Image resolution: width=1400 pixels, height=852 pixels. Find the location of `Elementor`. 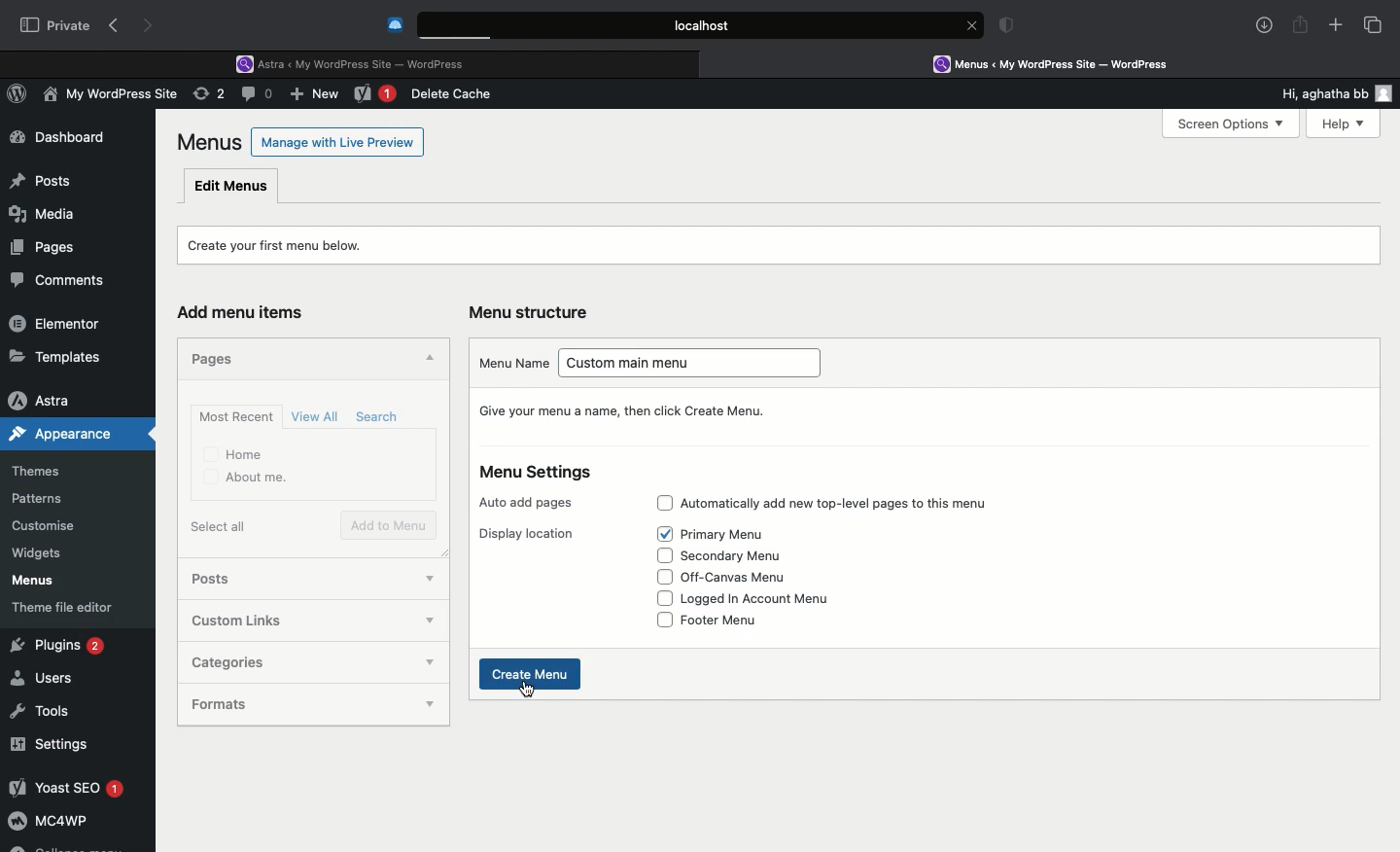

Elementor is located at coordinates (58, 323).